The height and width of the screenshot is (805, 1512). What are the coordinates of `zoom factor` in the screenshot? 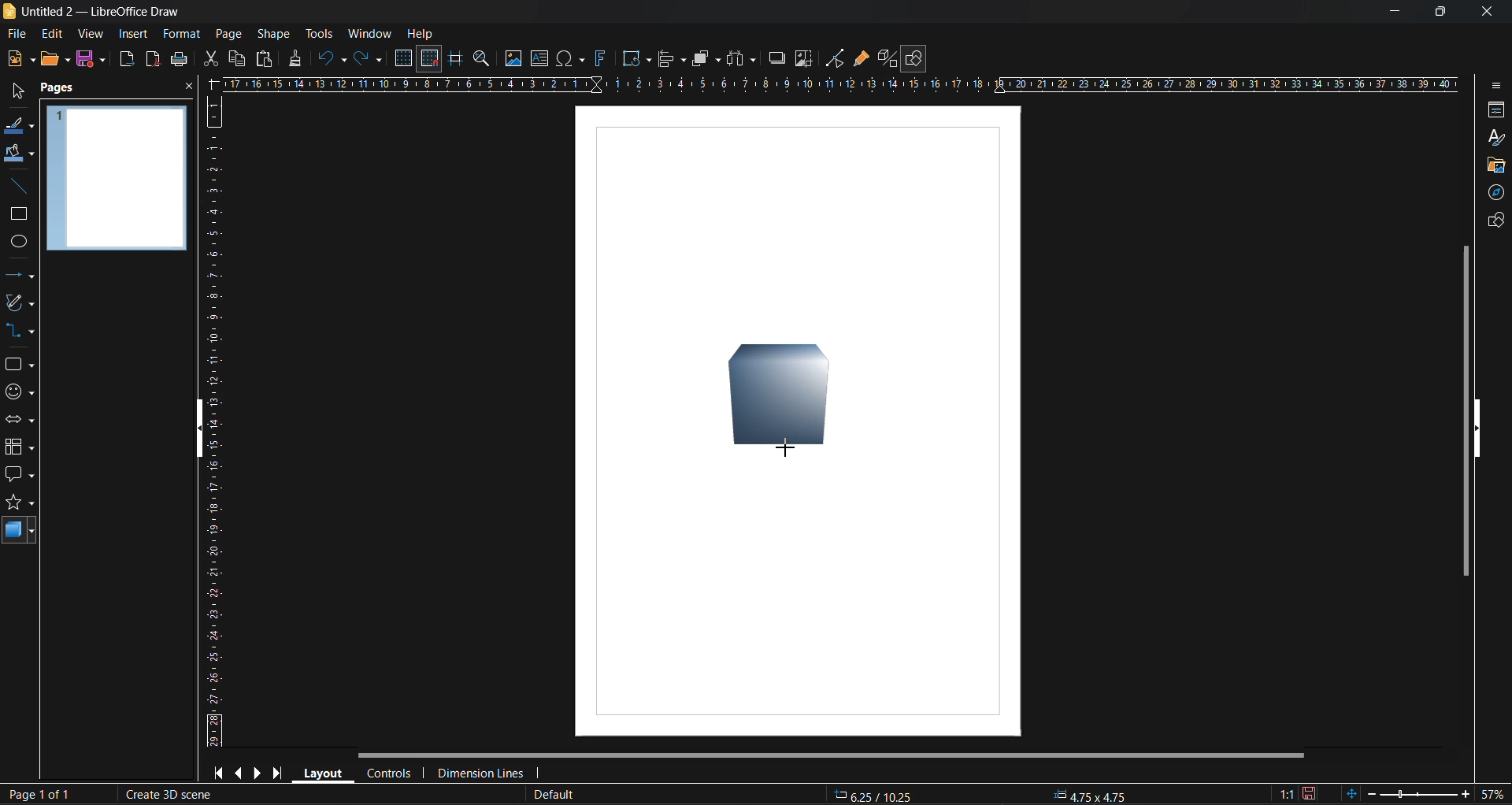 It's located at (1494, 792).